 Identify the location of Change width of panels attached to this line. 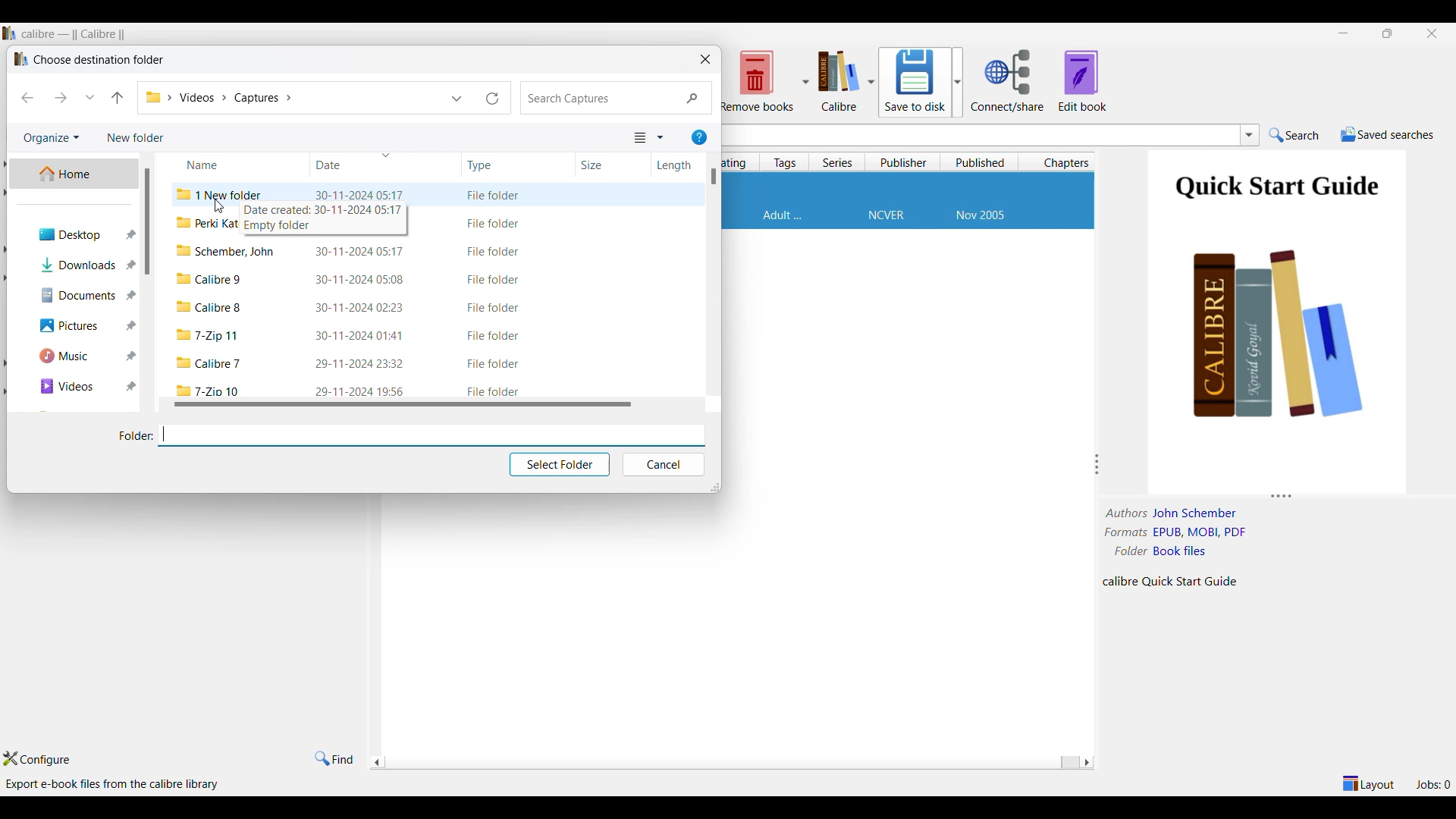
(1100, 464).